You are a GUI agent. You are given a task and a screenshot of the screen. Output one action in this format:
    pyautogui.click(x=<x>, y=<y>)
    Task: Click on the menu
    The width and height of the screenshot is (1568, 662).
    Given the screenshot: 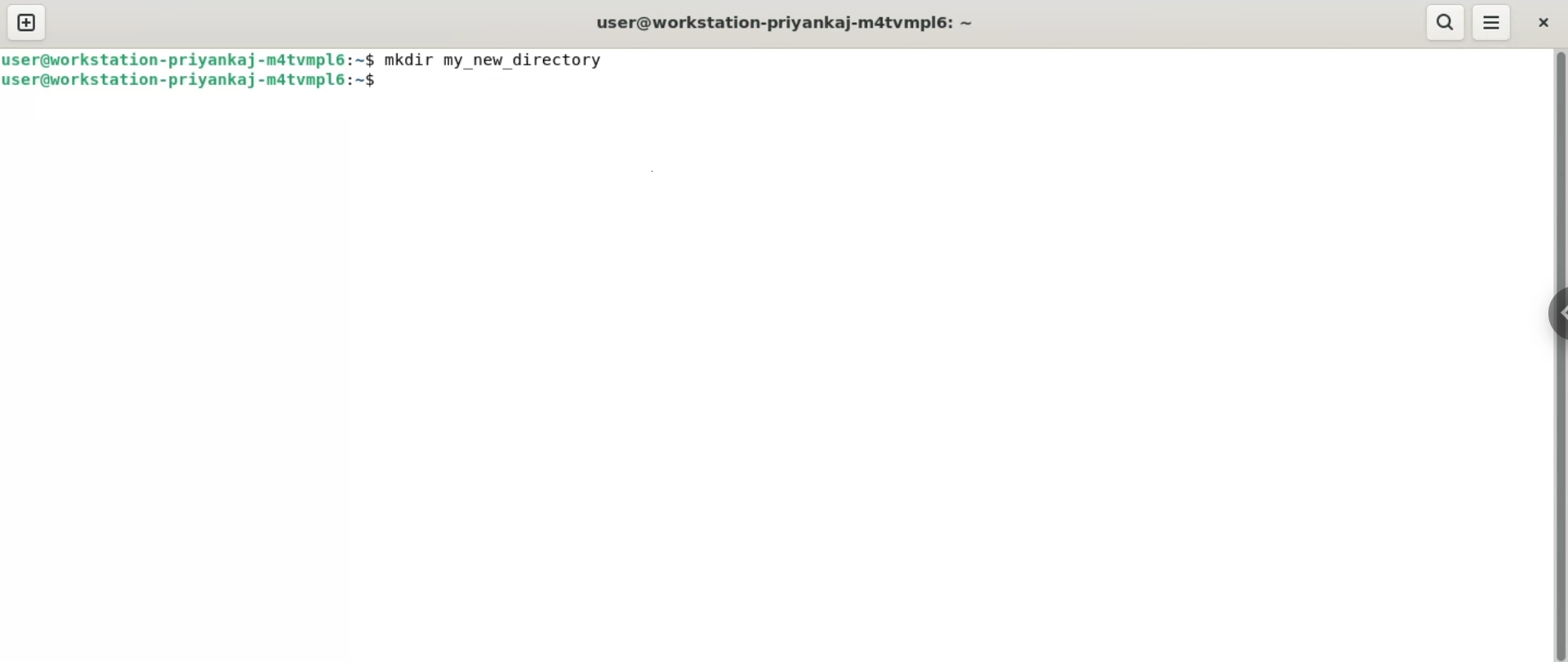 What is the action you would take?
    pyautogui.click(x=1492, y=20)
    